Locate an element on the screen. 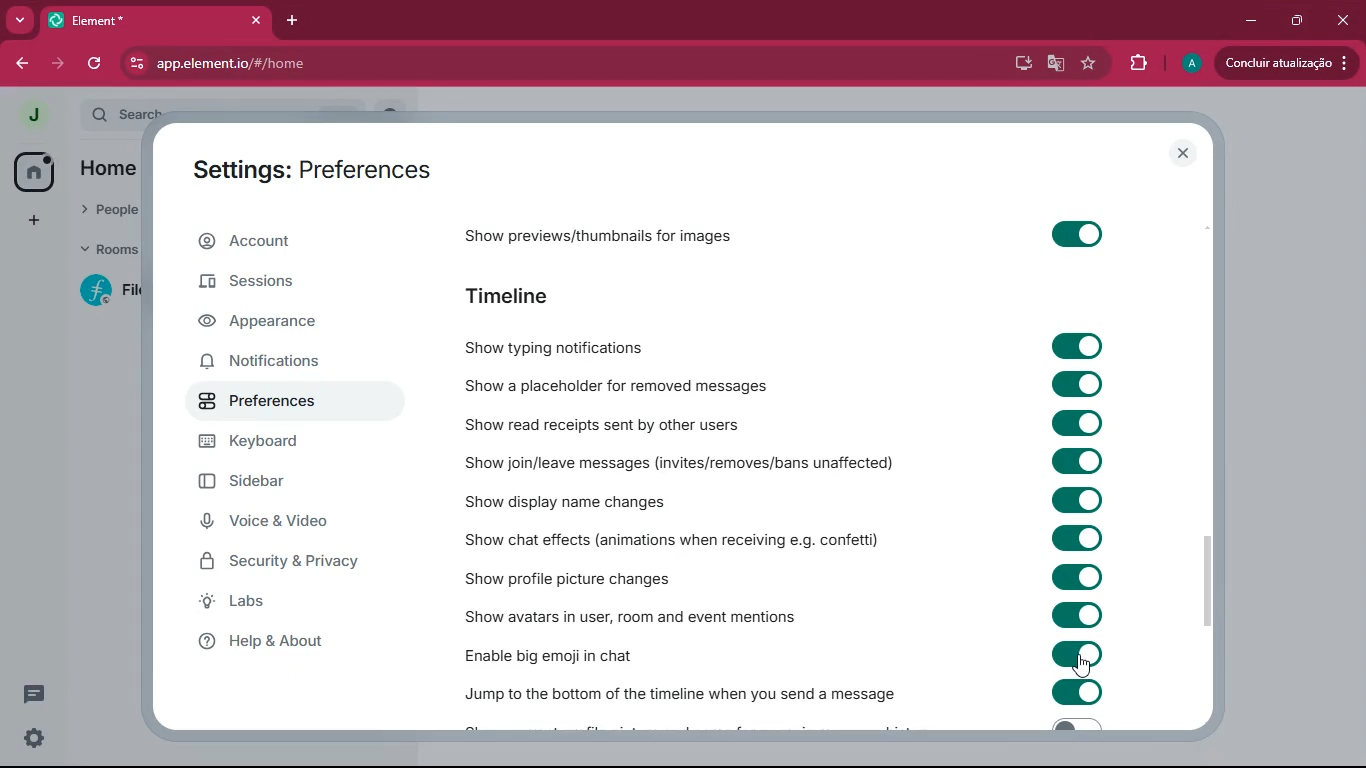  close is located at coordinates (256, 19).